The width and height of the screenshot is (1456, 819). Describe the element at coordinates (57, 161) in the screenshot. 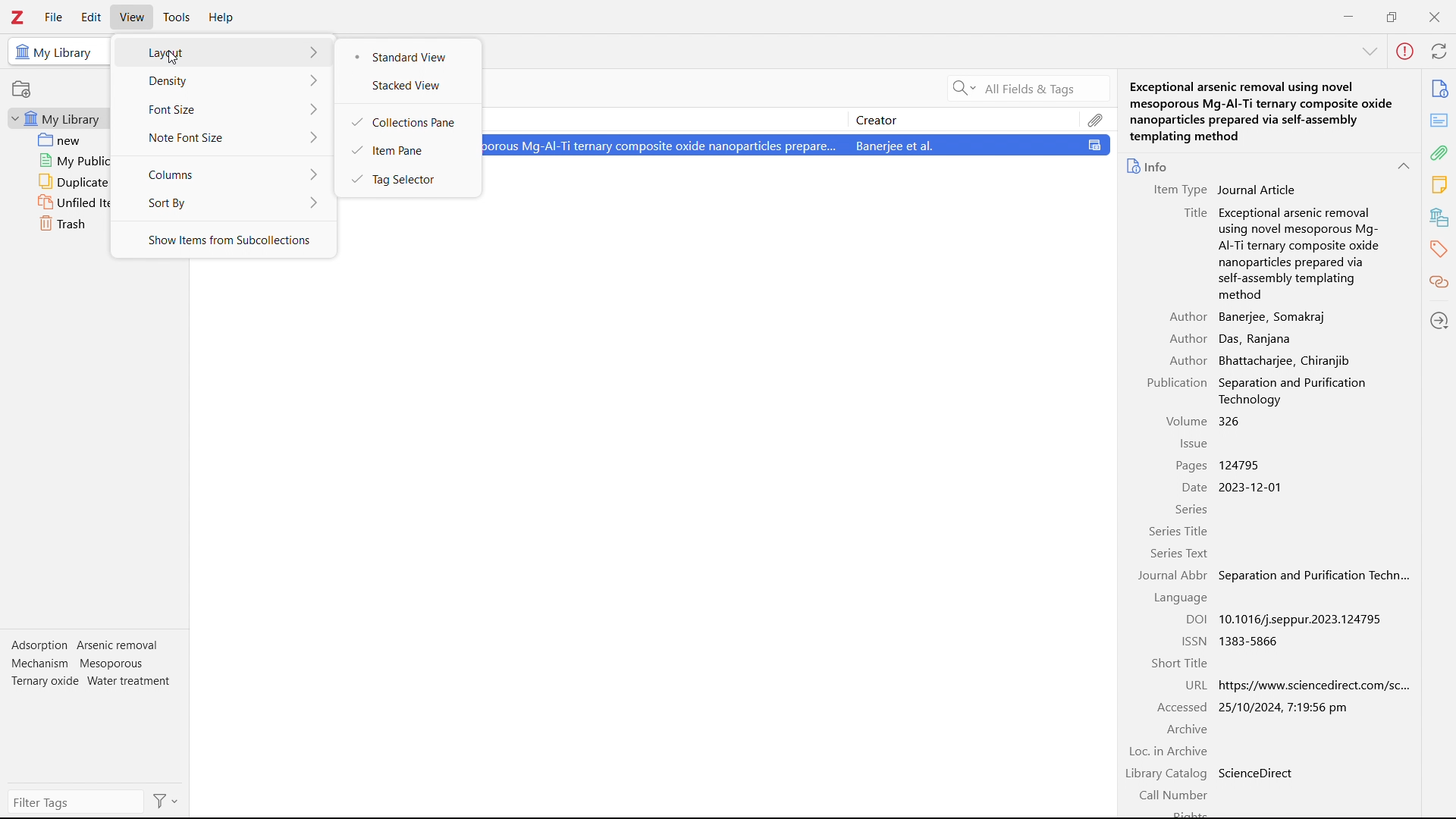

I see `my publications` at that location.